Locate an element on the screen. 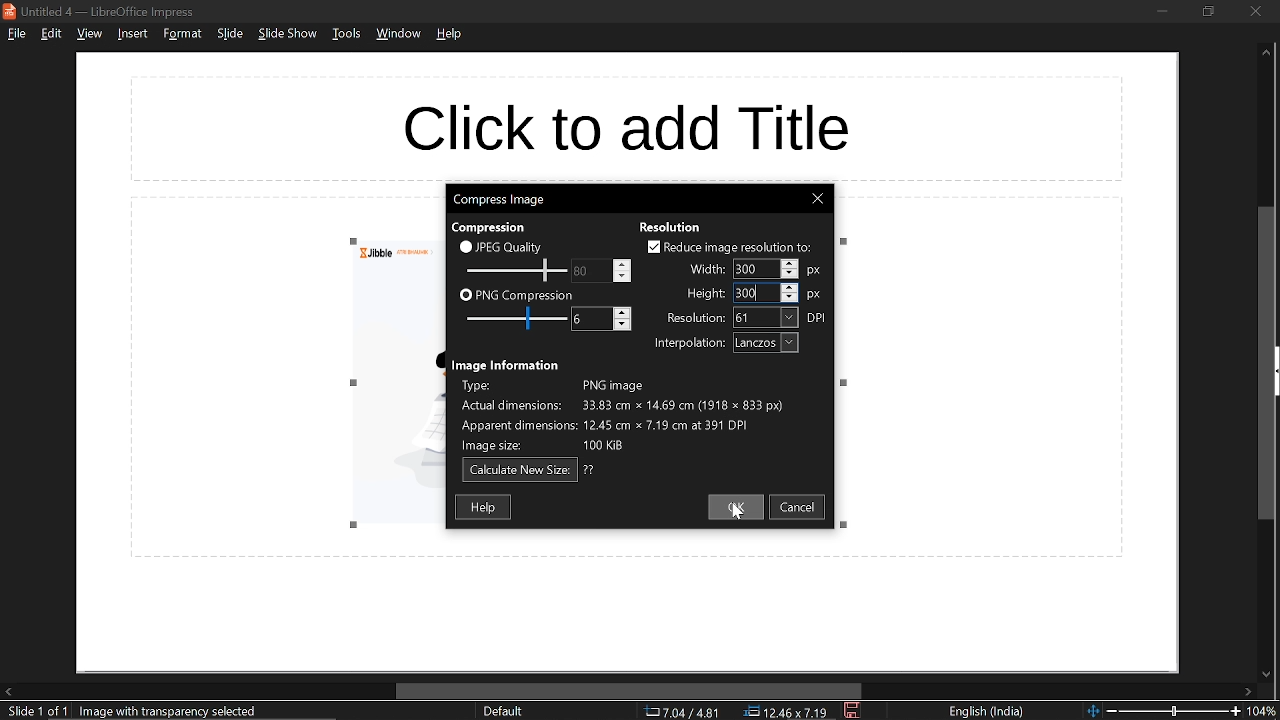 The image size is (1280, 720). Increase  is located at coordinates (791, 286).